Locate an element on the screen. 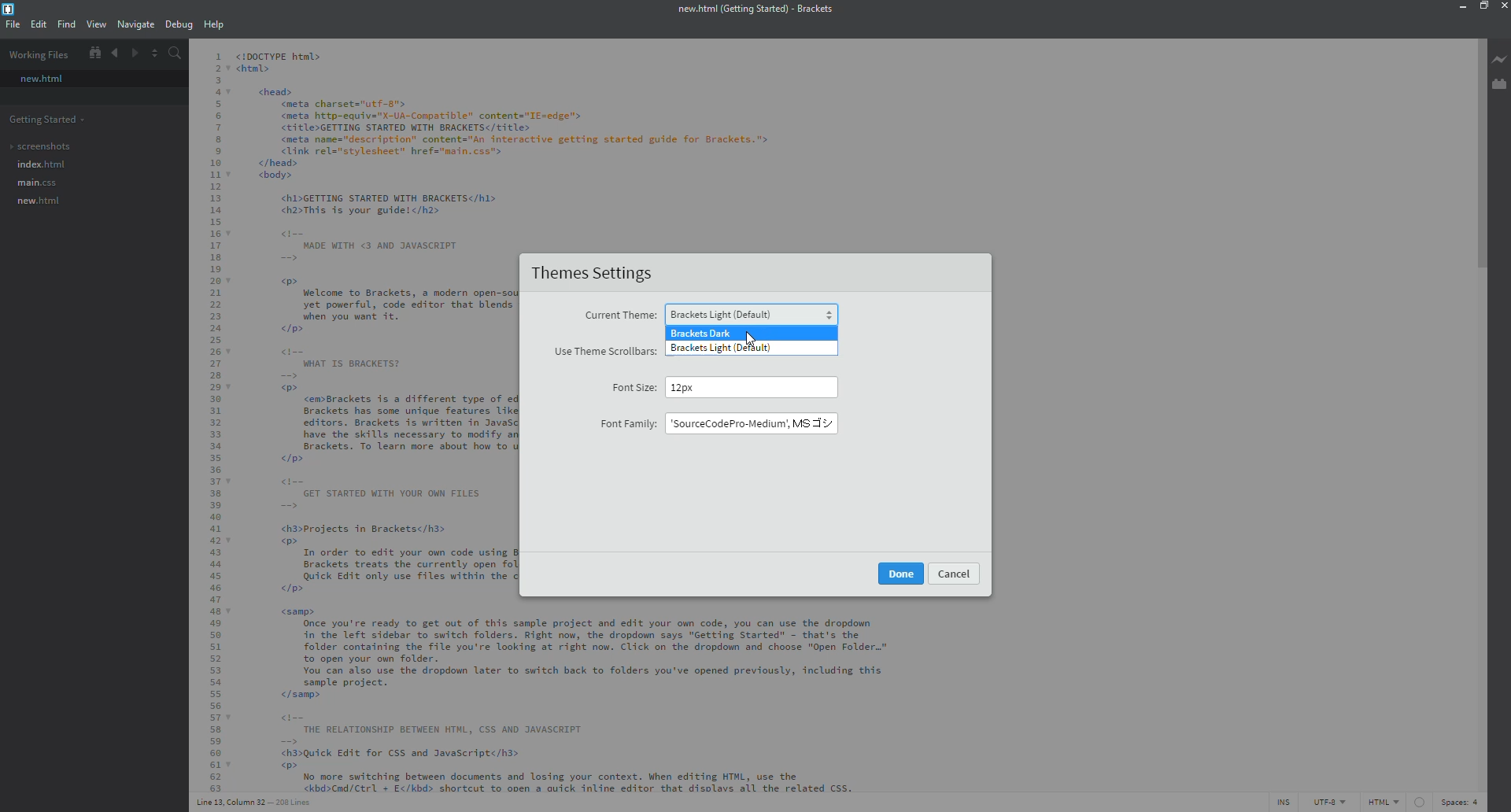 This screenshot has height=812, width=1511. spaces is located at coordinates (1457, 802).